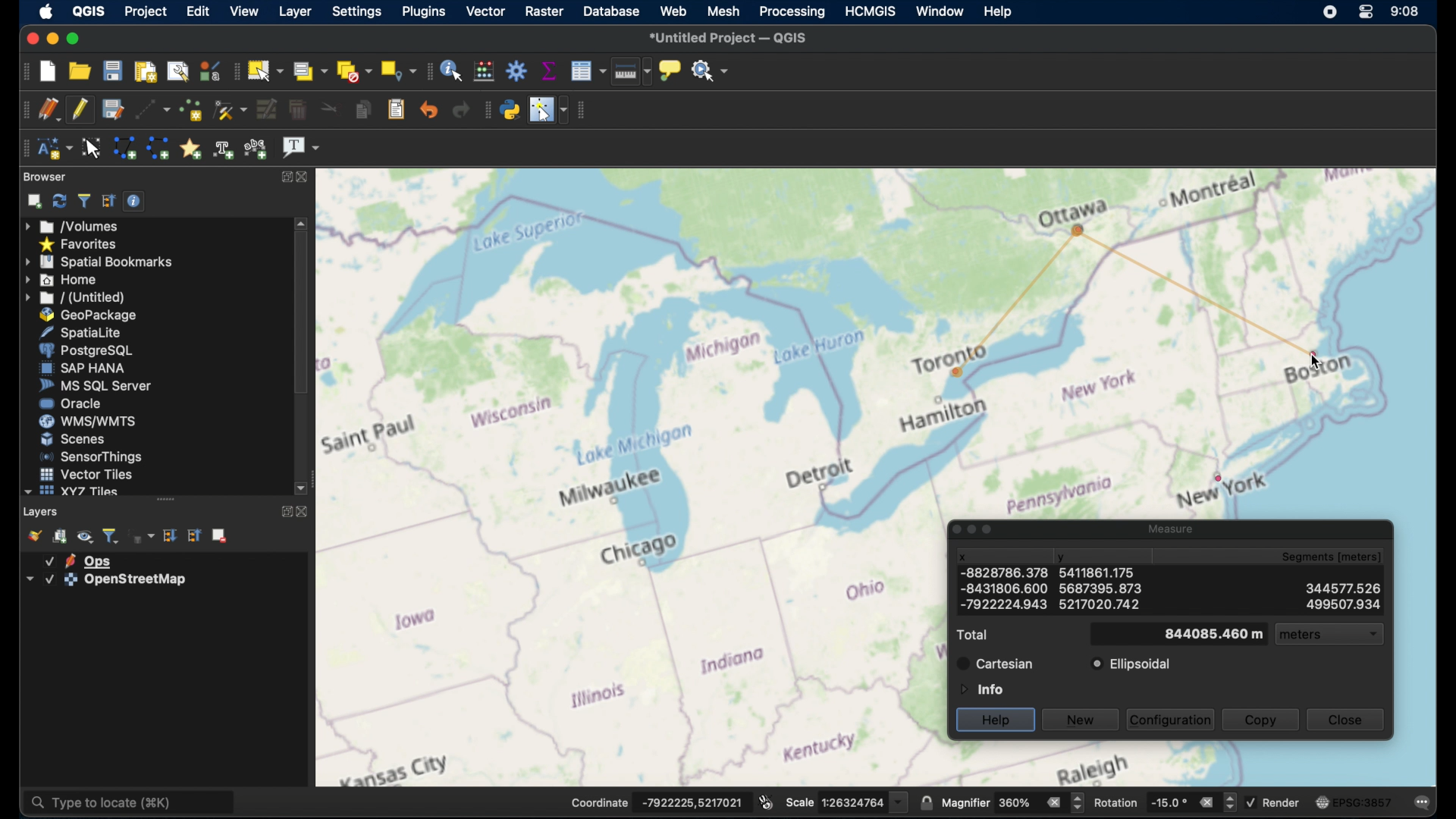 This screenshot has height=819, width=1456. I want to click on maximize, so click(991, 531).